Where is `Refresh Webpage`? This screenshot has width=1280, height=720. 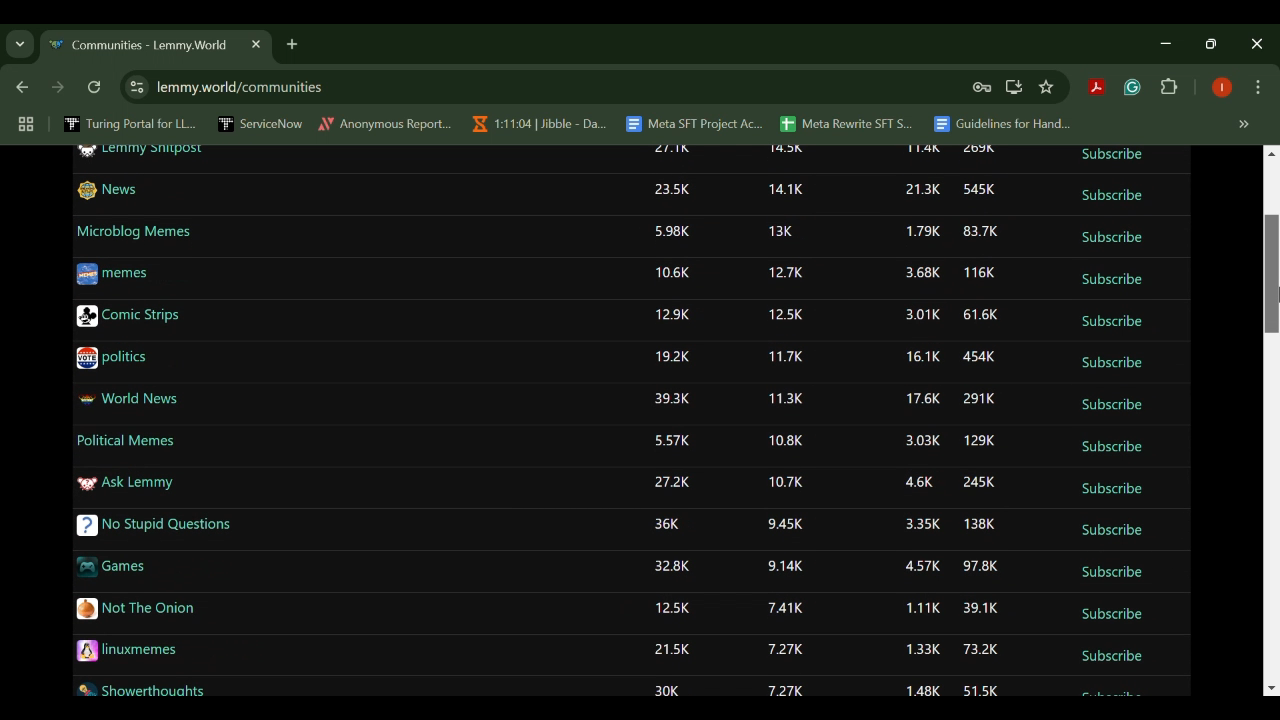
Refresh Webpage is located at coordinates (96, 89).